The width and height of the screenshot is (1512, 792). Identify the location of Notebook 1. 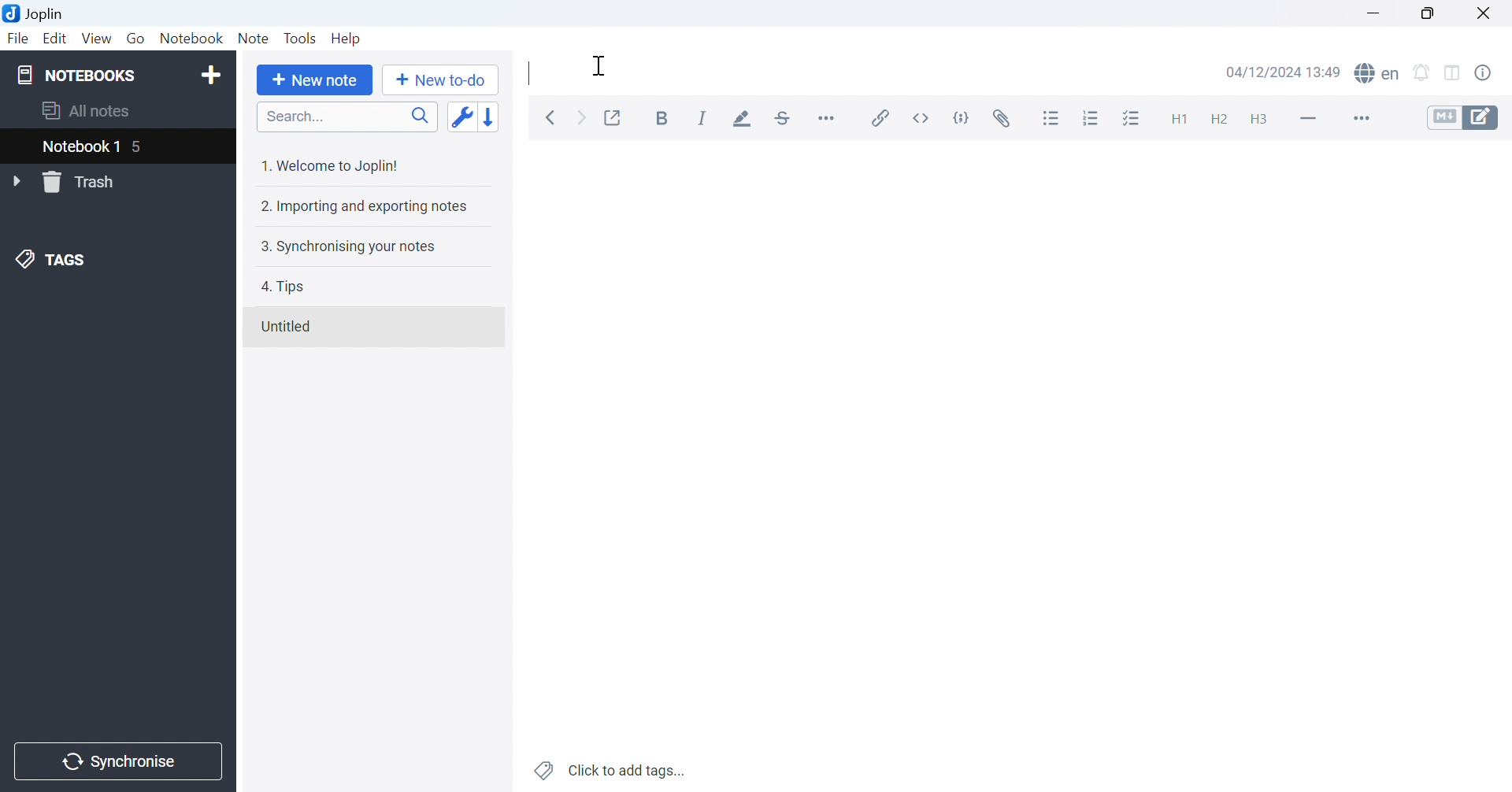
(80, 147).